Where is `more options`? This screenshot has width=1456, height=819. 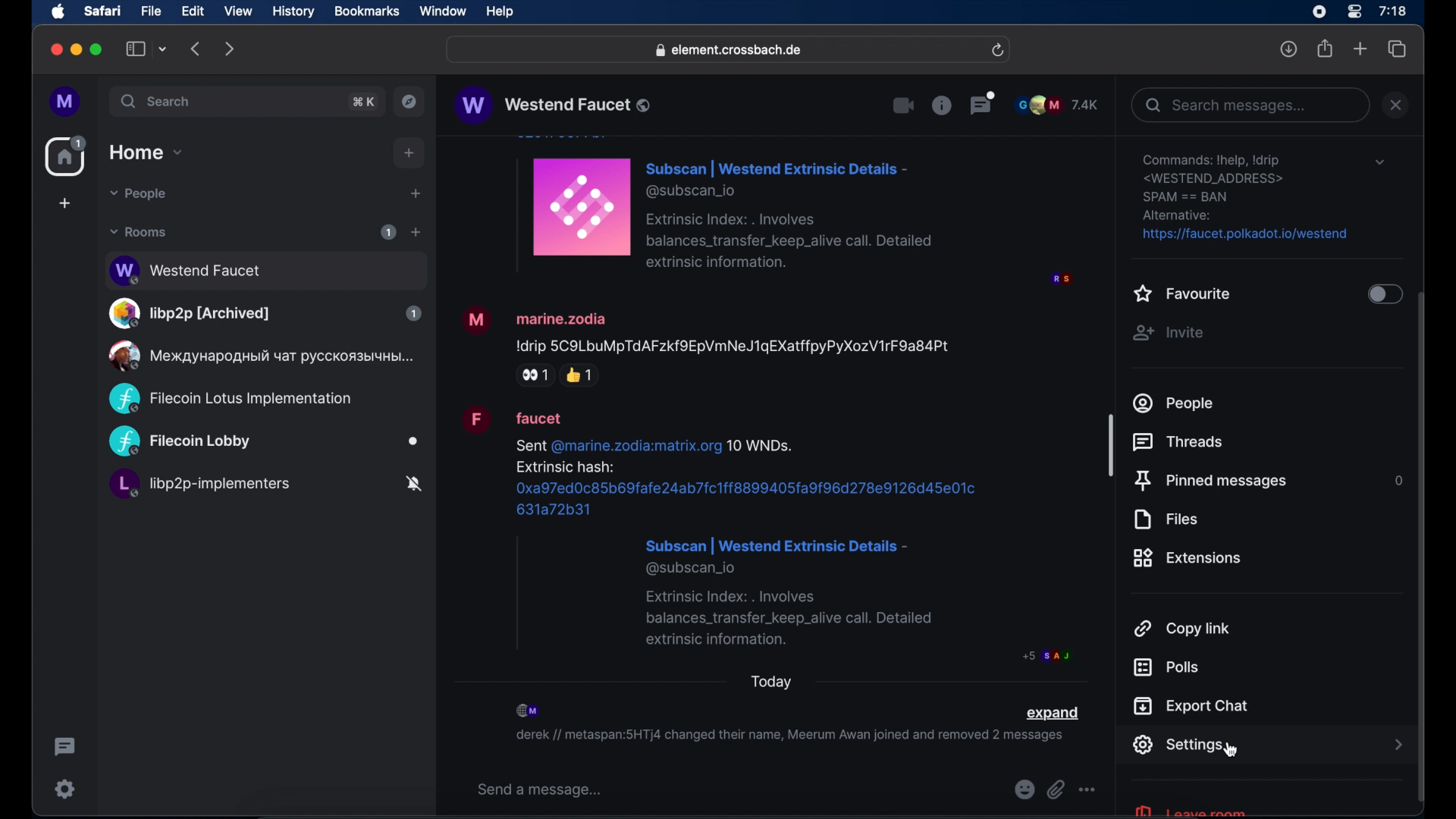
more options is located at coordinates (1087, 790).